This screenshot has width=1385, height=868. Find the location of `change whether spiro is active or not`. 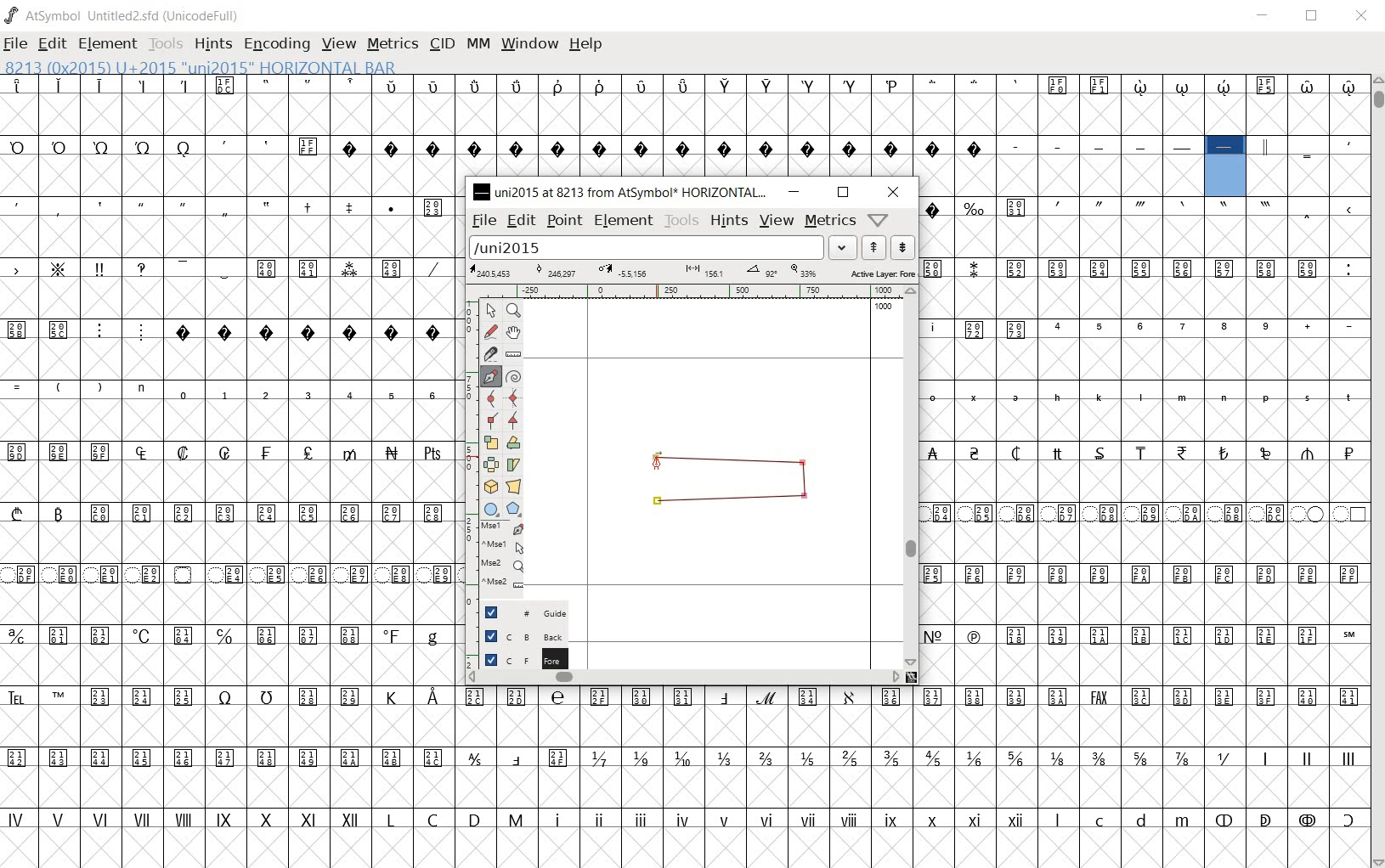

change whether spiro is active or not is located at coordinates (515, 377).